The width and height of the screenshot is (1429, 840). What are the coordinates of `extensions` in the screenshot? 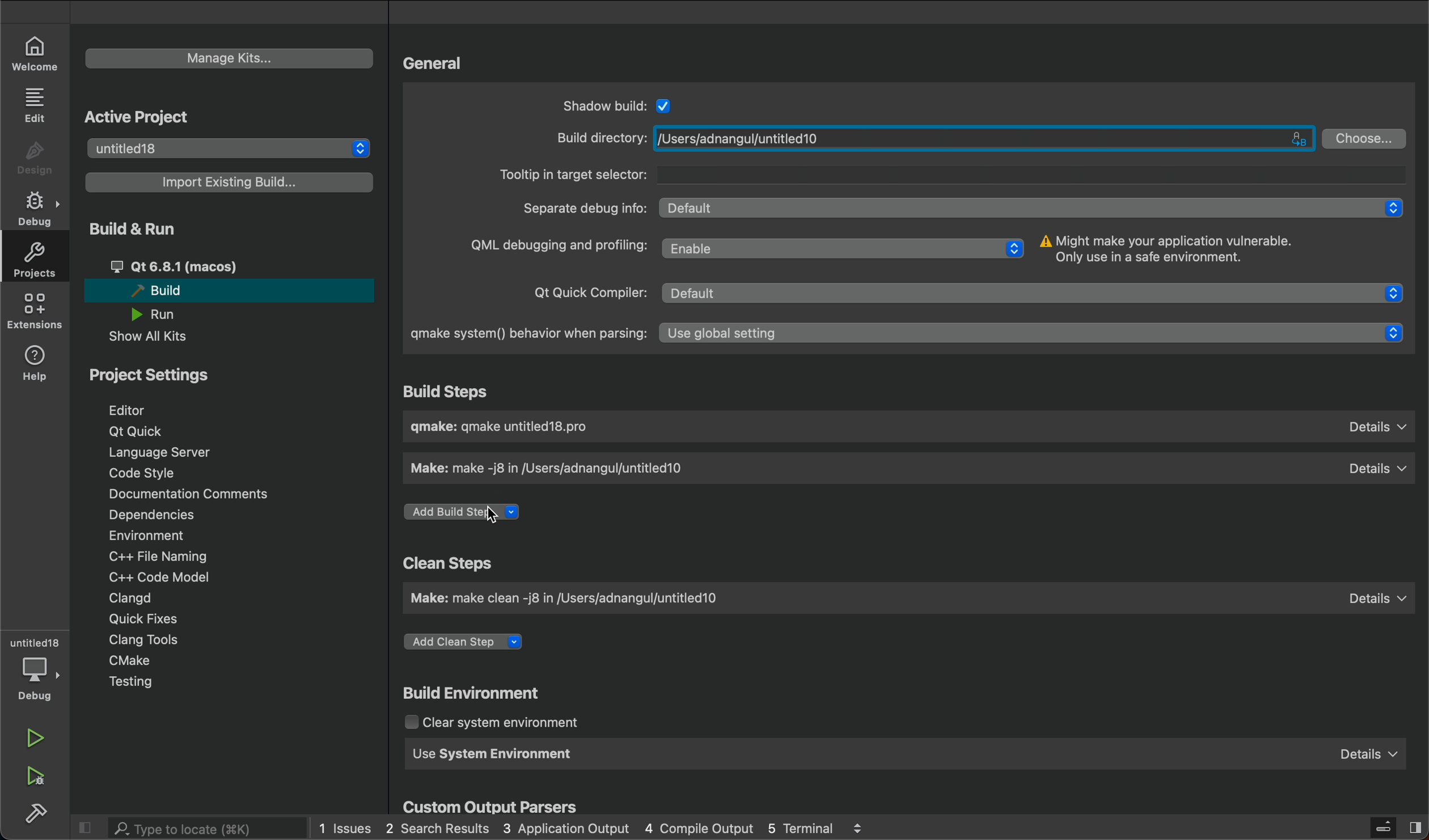 It's located at (36, 313).